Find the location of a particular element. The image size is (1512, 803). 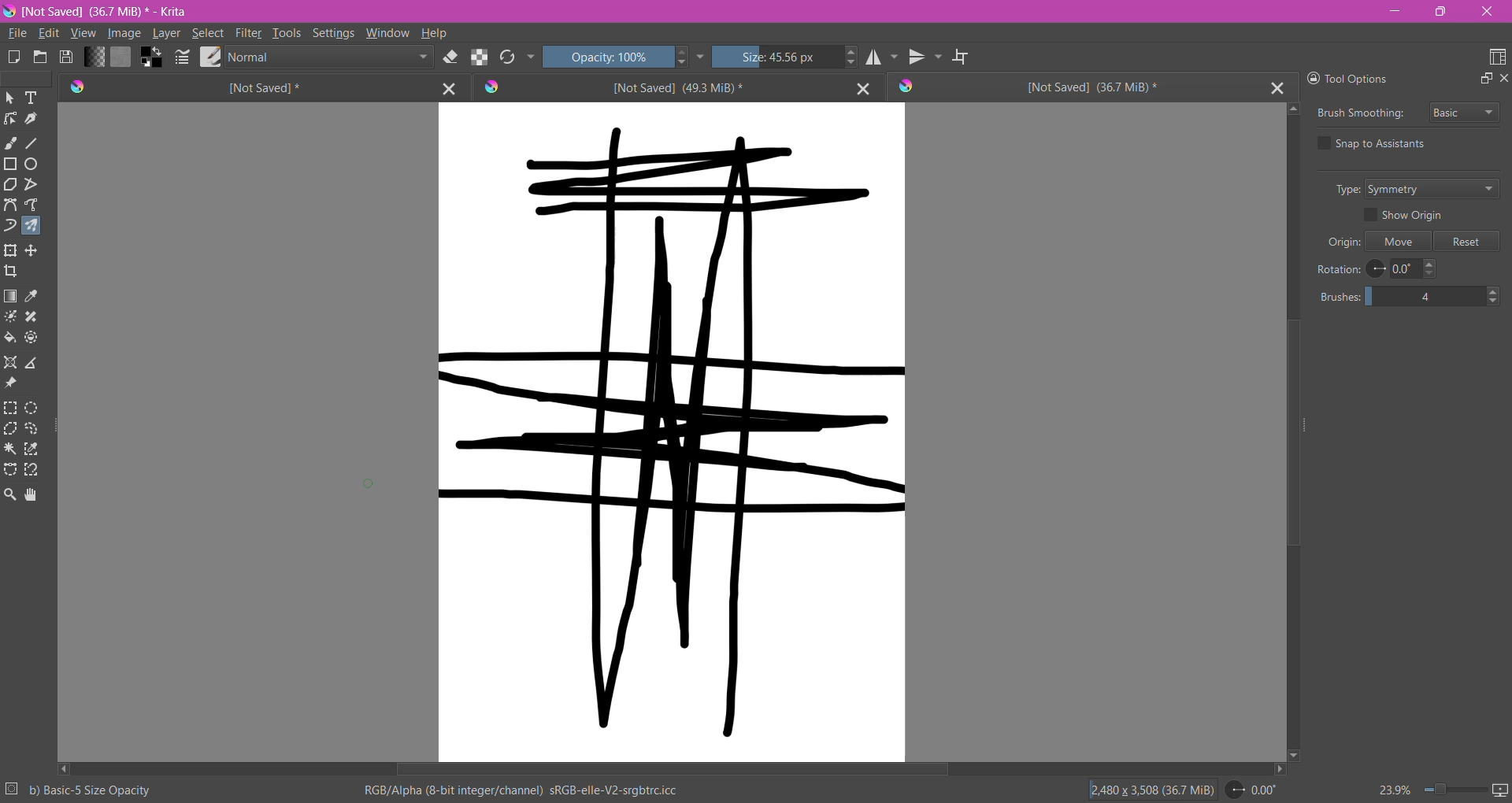

Sample a color from the image or current layer is located at coordinates (35, 296).